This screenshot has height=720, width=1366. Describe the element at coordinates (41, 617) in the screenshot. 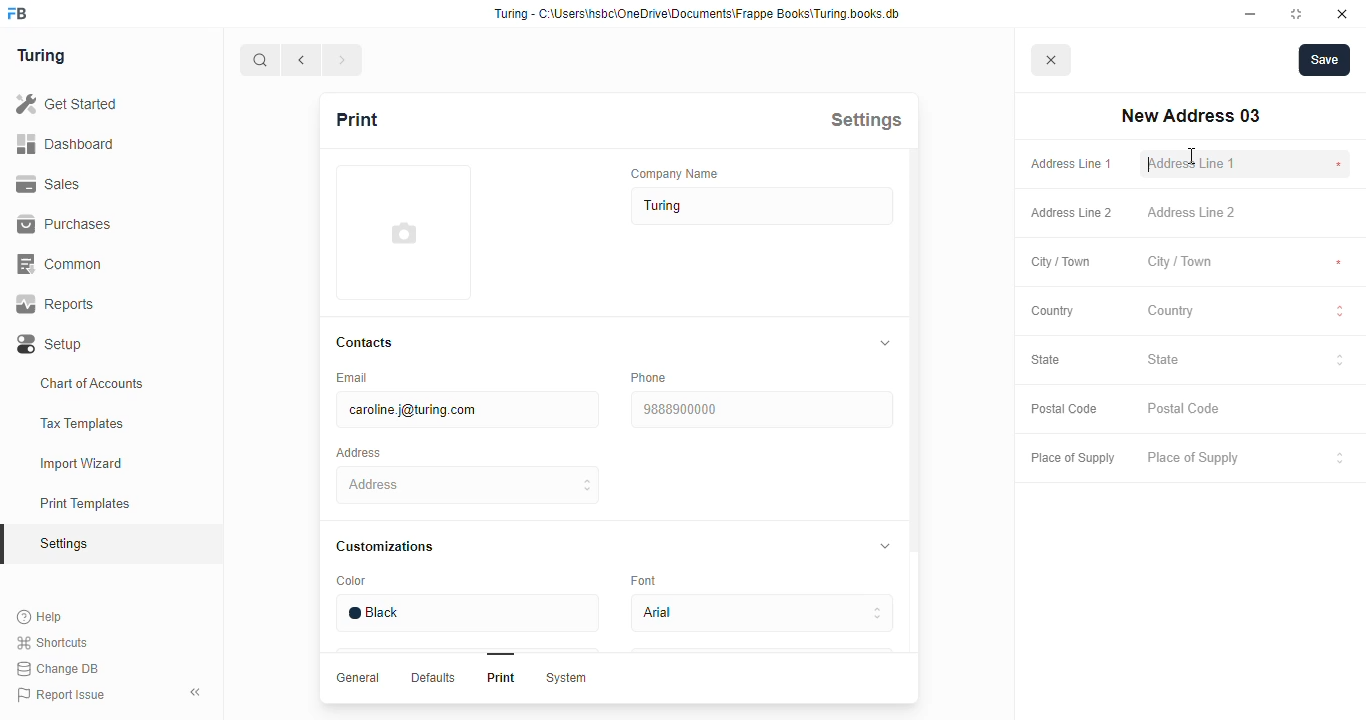

I see `help` at that location.